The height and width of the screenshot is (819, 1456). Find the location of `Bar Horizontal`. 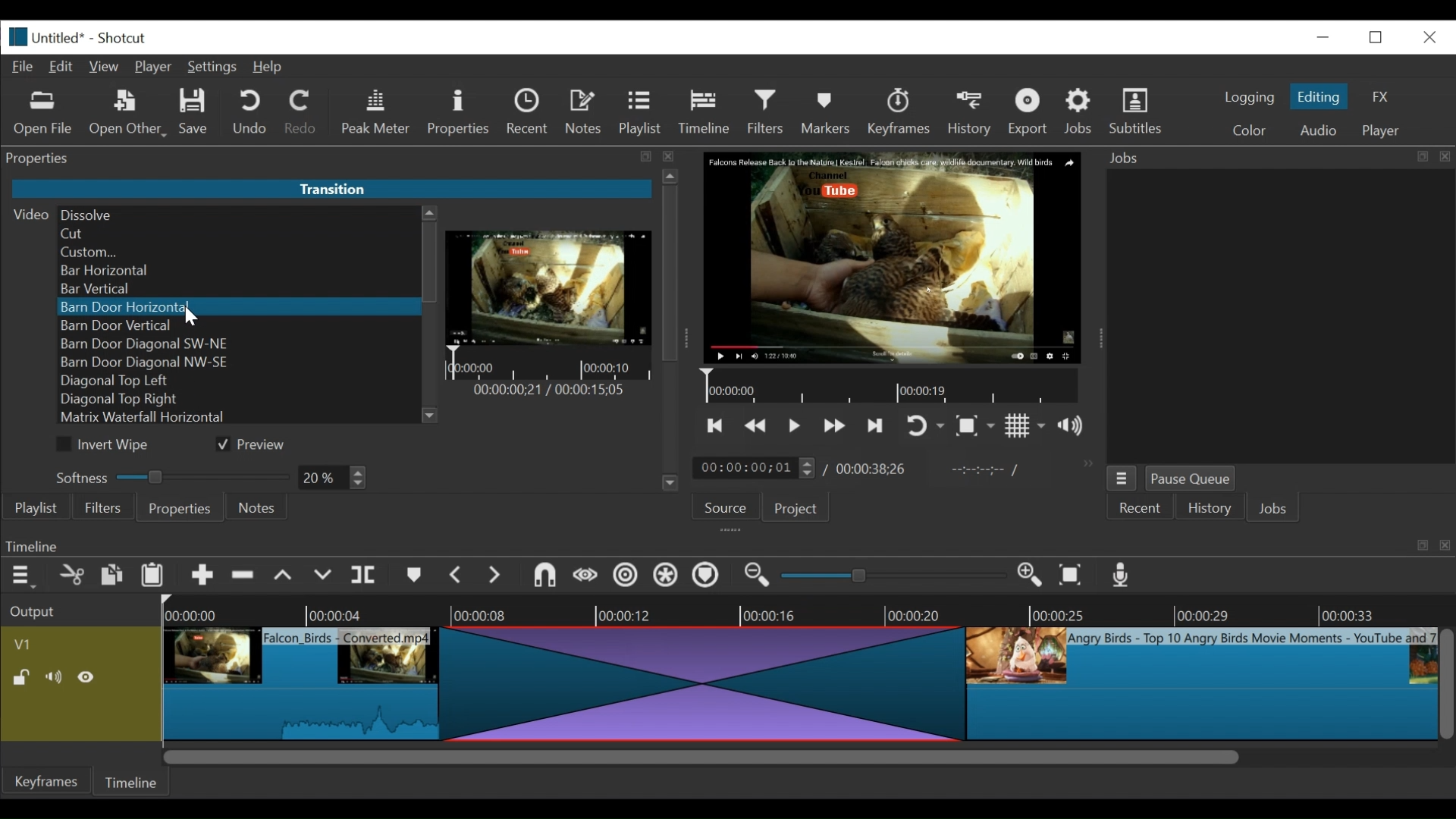

Bar Horizontal is located at coordinates (238, 270).